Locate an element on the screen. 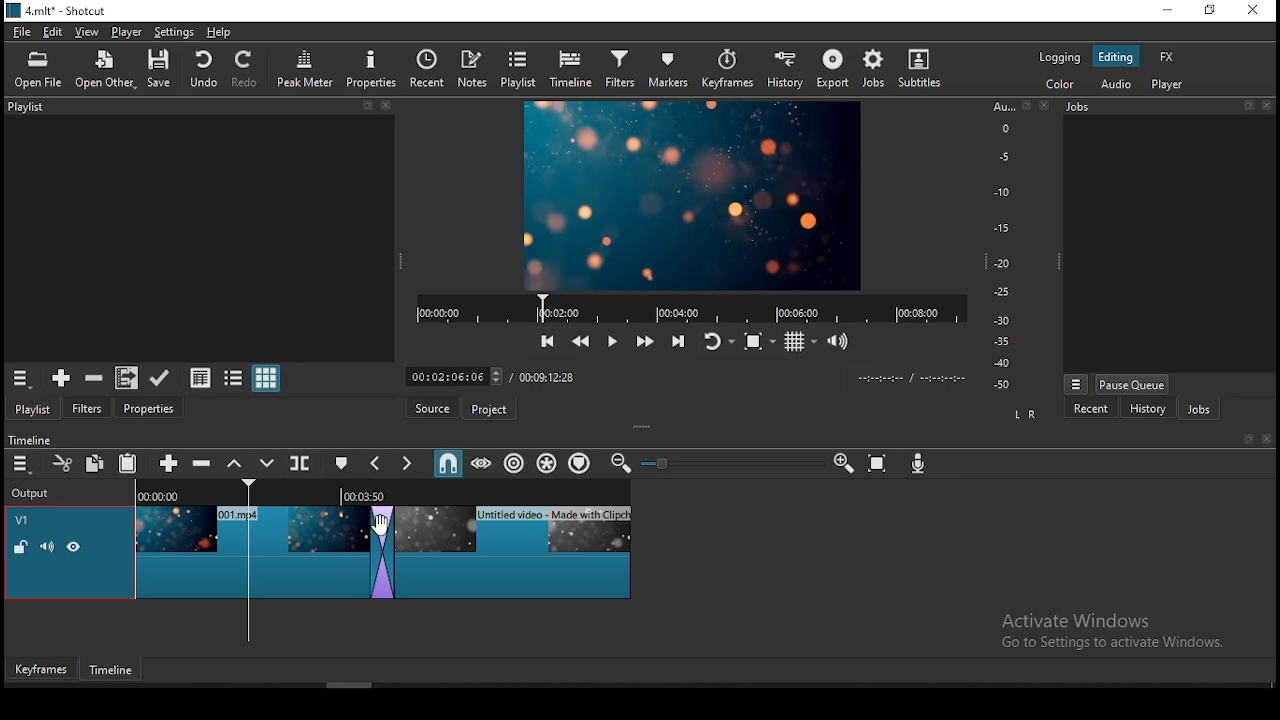 This screenshot has width=1280, height=720. view as icons is located at coordinates (267, 379).